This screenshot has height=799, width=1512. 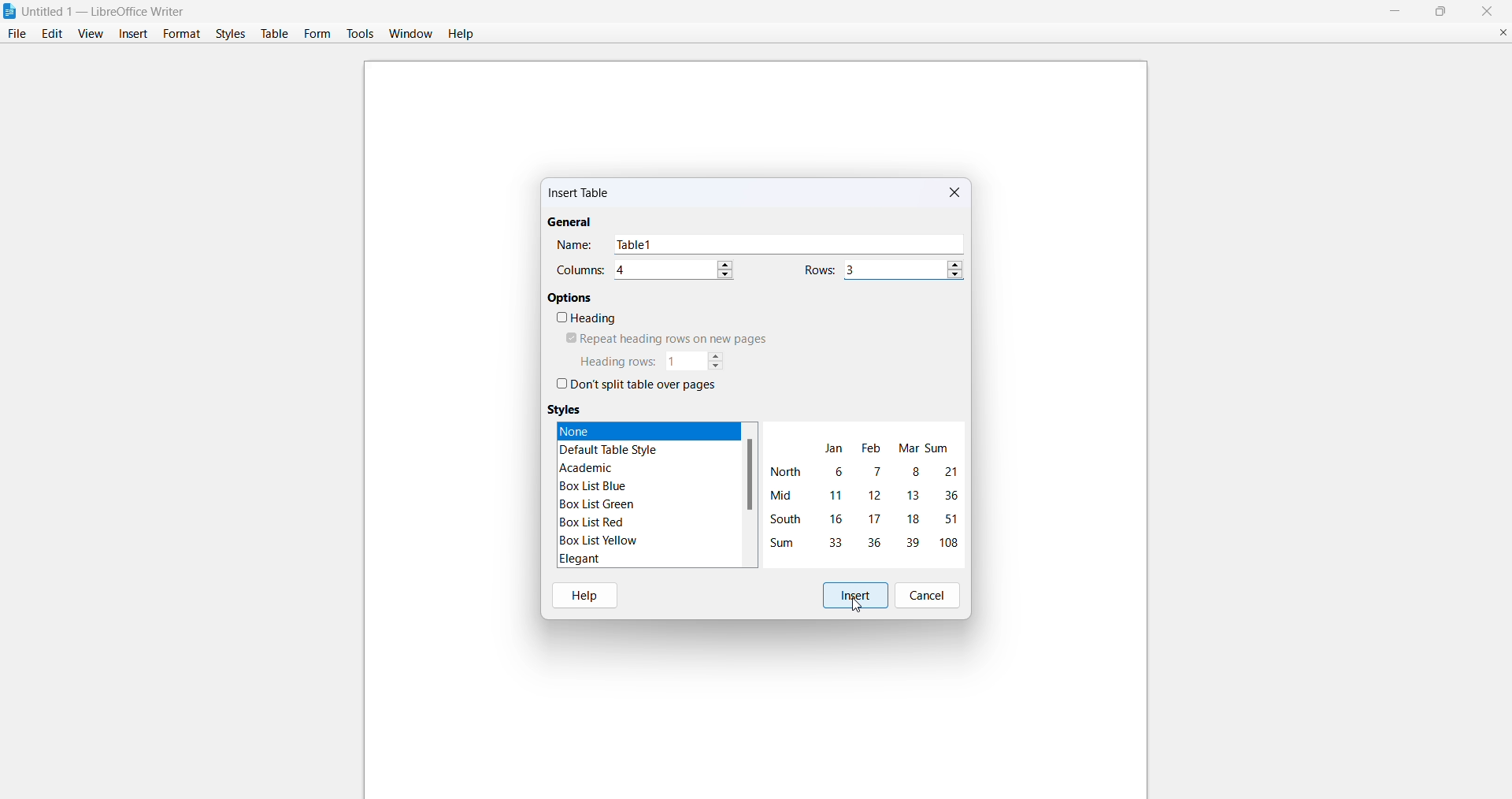 What do you see at coordinates (578, 559) in the screenshot?
I see `elegant` at bounding box center [578, 559].